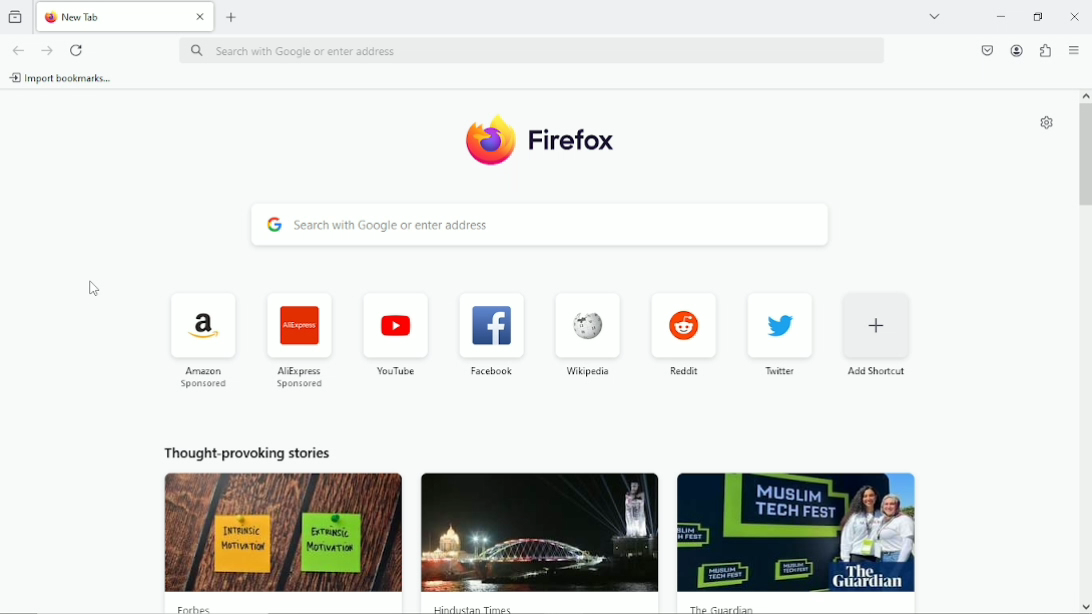 This screenshot has height=614, width=1092. What do you see at coordinates (1044, 123) in the screenshot?
I see `Customize new tab` at bounding box center [1044, 123].